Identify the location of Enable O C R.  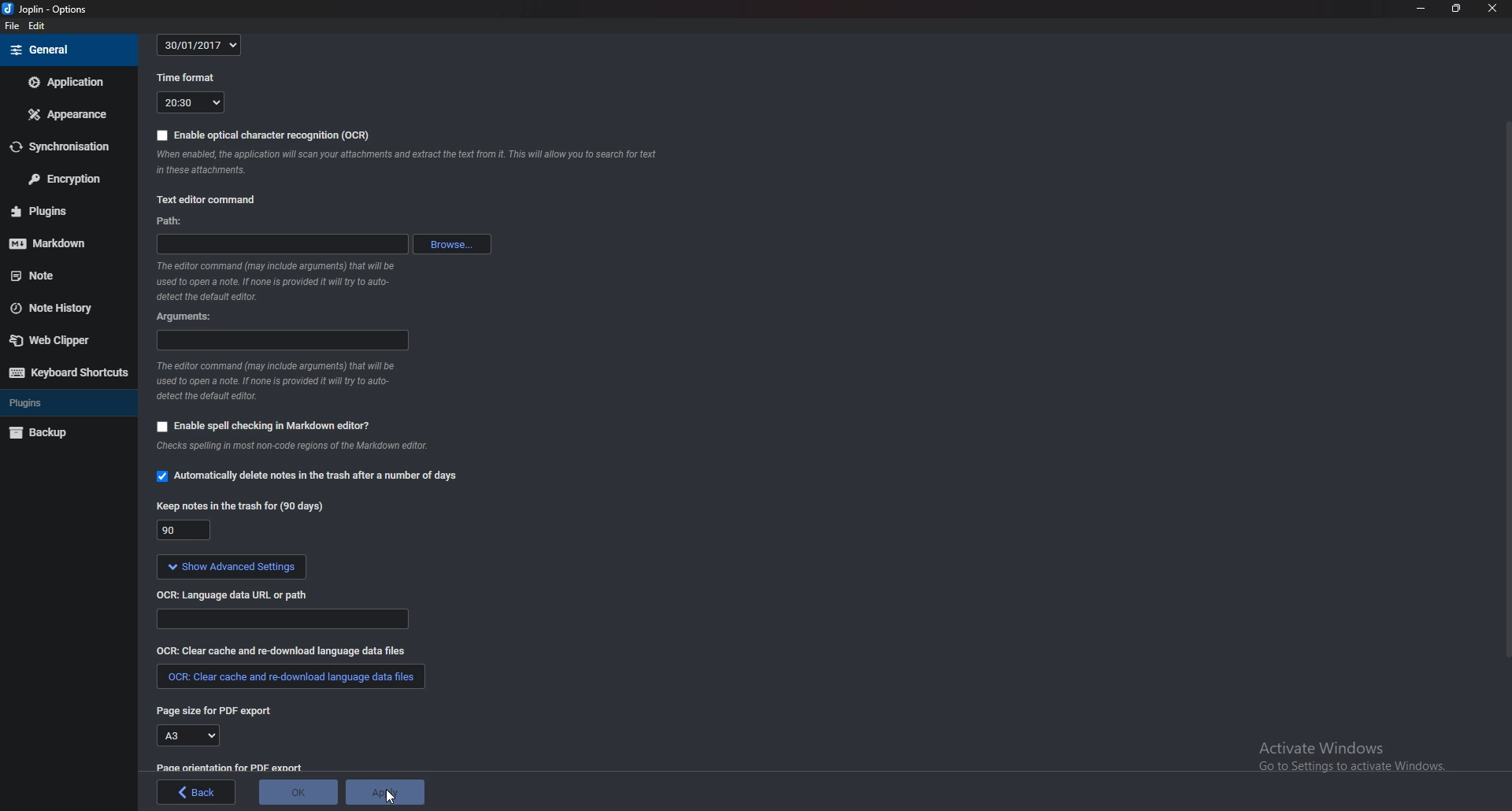
(261, 136).